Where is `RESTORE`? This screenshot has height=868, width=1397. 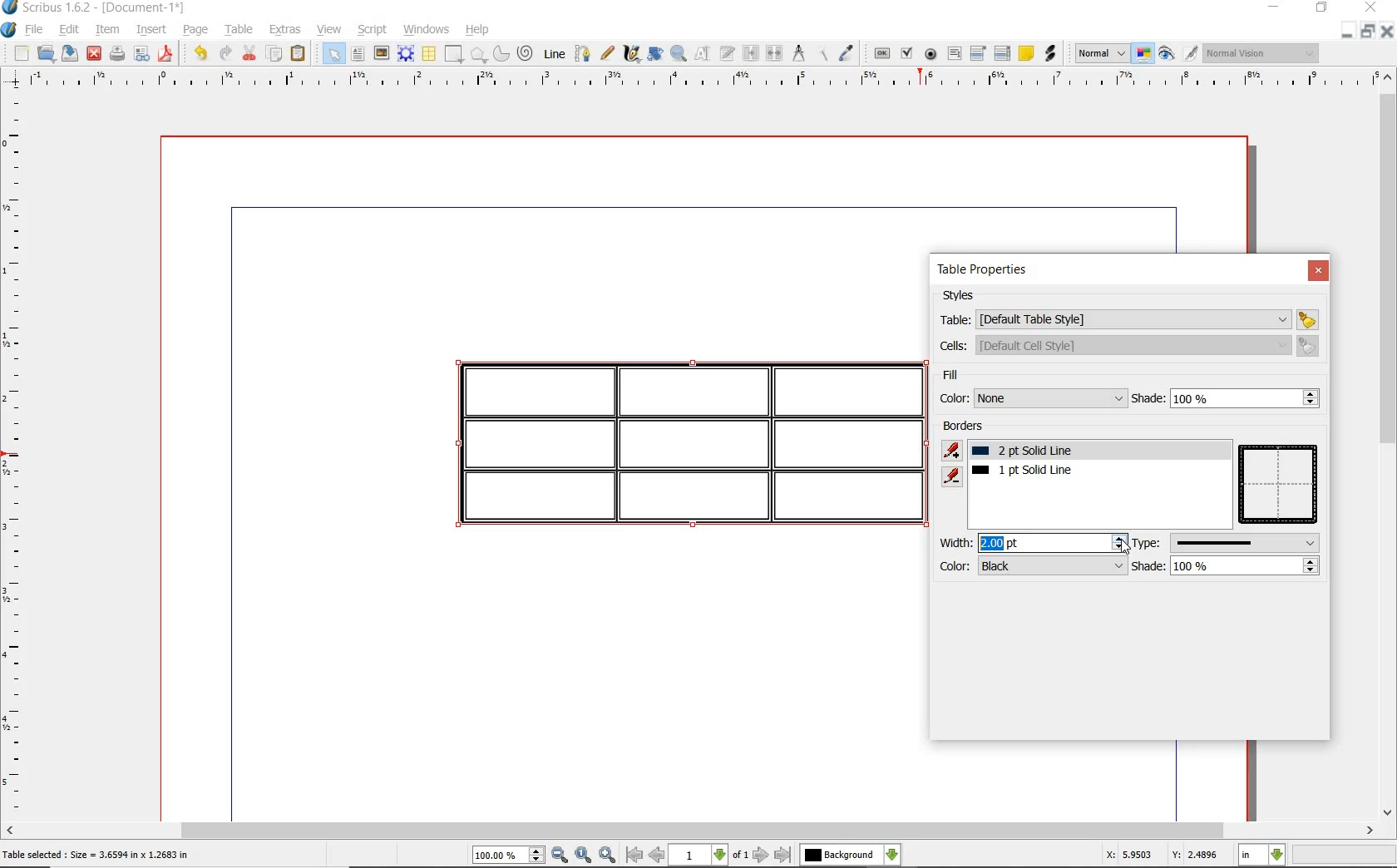 RESTORE is located at coordinates (1369, 30).